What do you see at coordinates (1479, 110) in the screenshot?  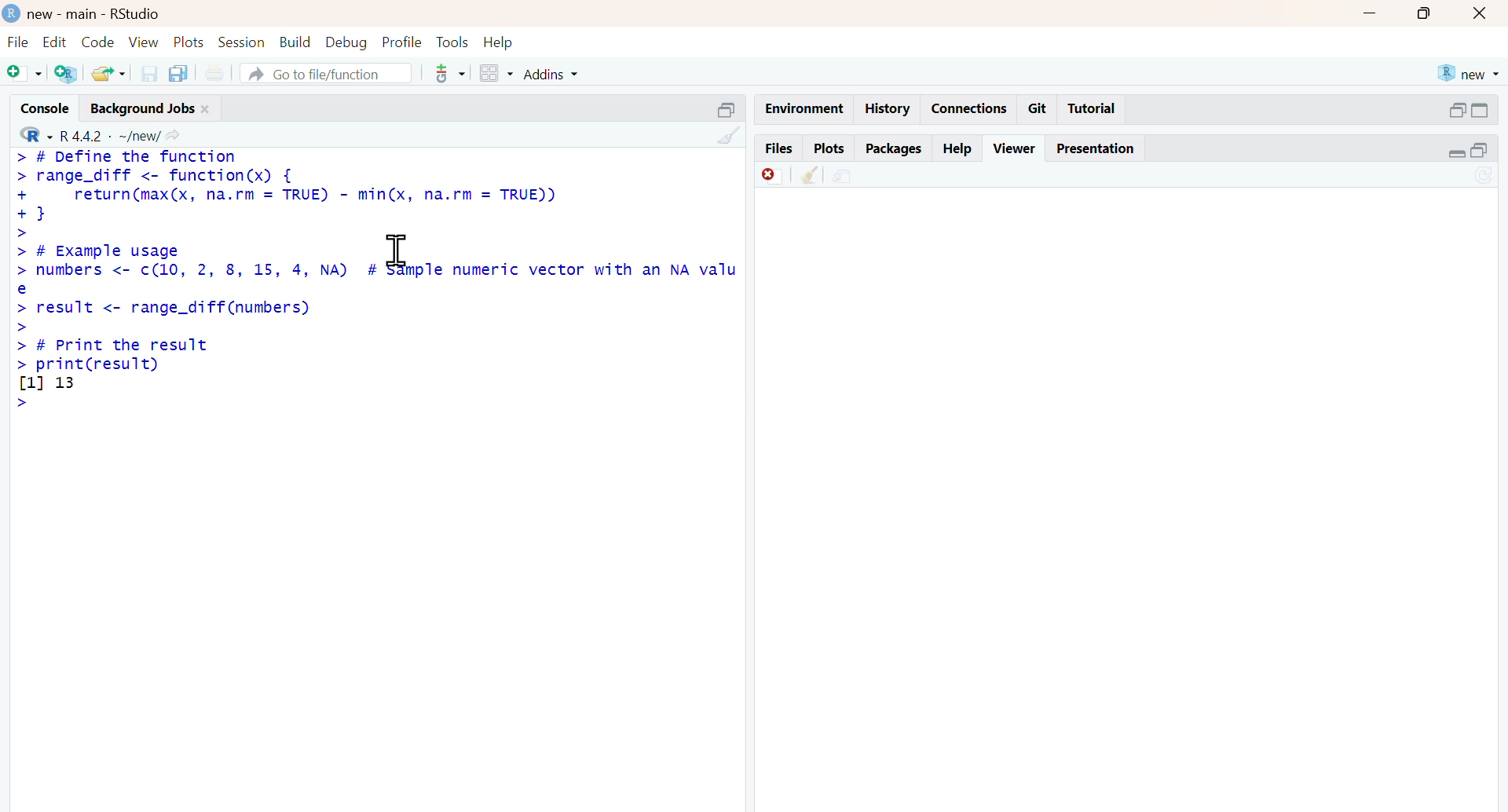 I see `open in separate windowCollapse /expand` at bounding box center [1479, 110].